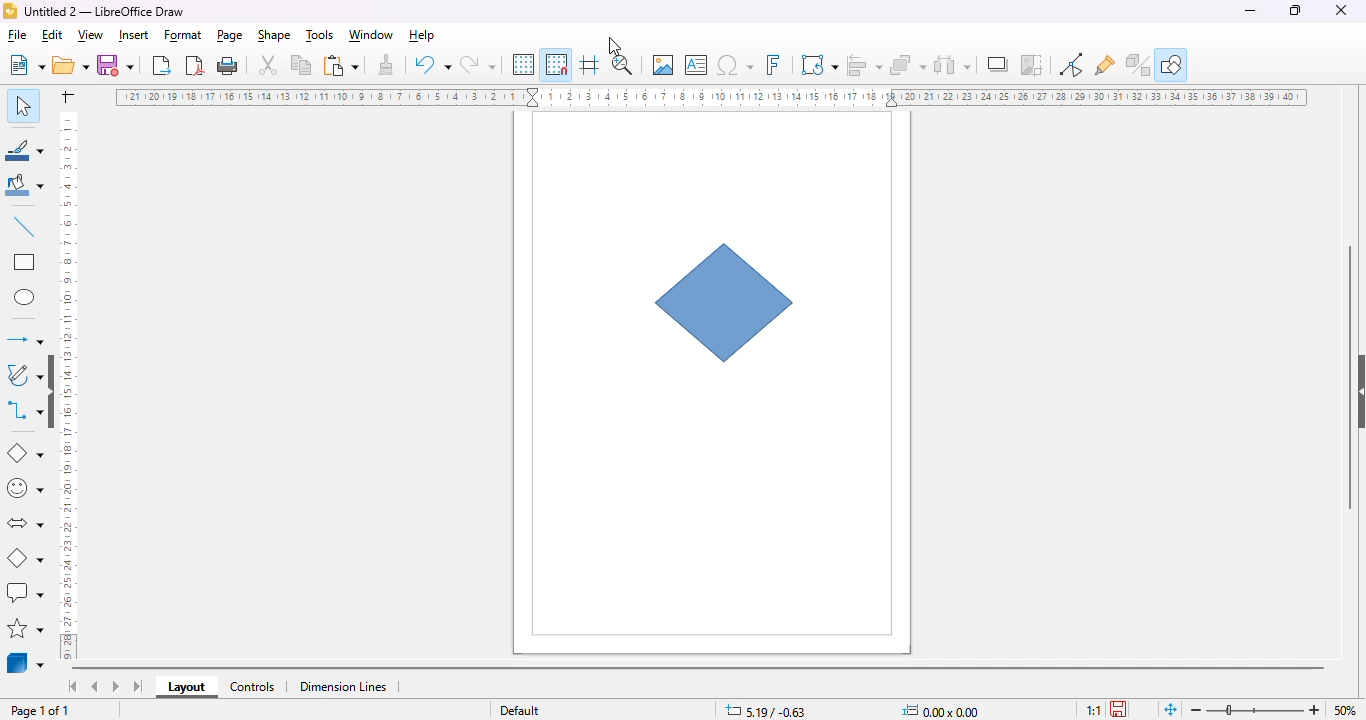  I want to click on arrange, so click(908, 64).